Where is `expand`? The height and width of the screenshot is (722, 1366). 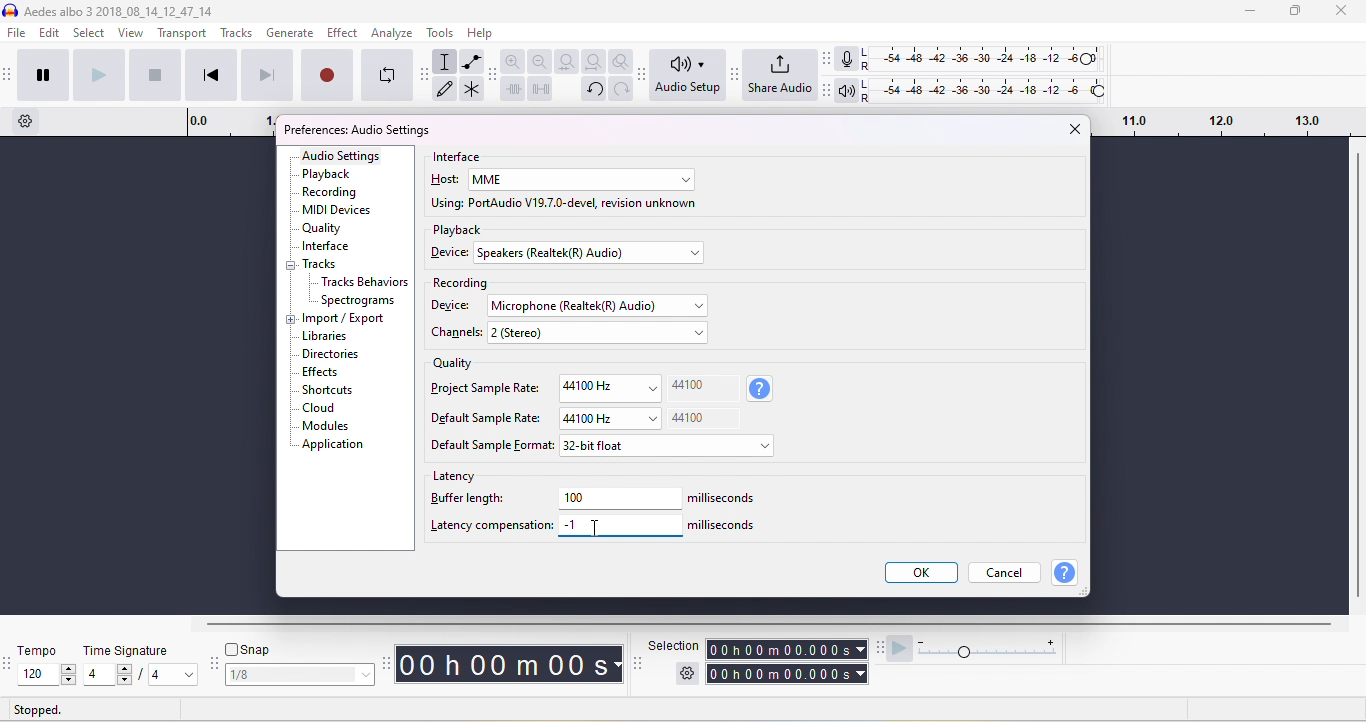
expand is located at coordinates (290, 320).